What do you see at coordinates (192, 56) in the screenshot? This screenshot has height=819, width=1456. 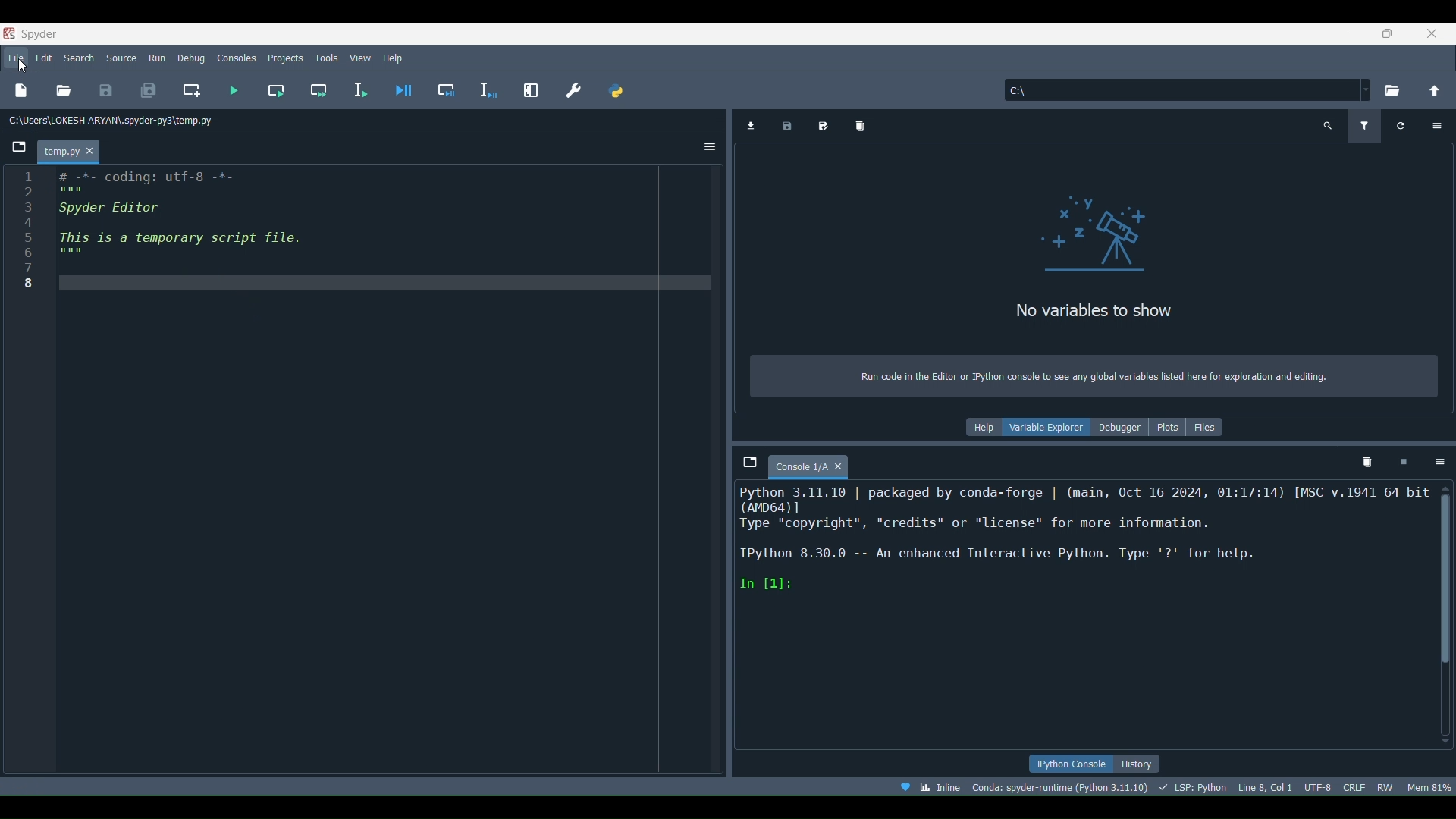 I see `Debug` at bounding box center [192, 56].